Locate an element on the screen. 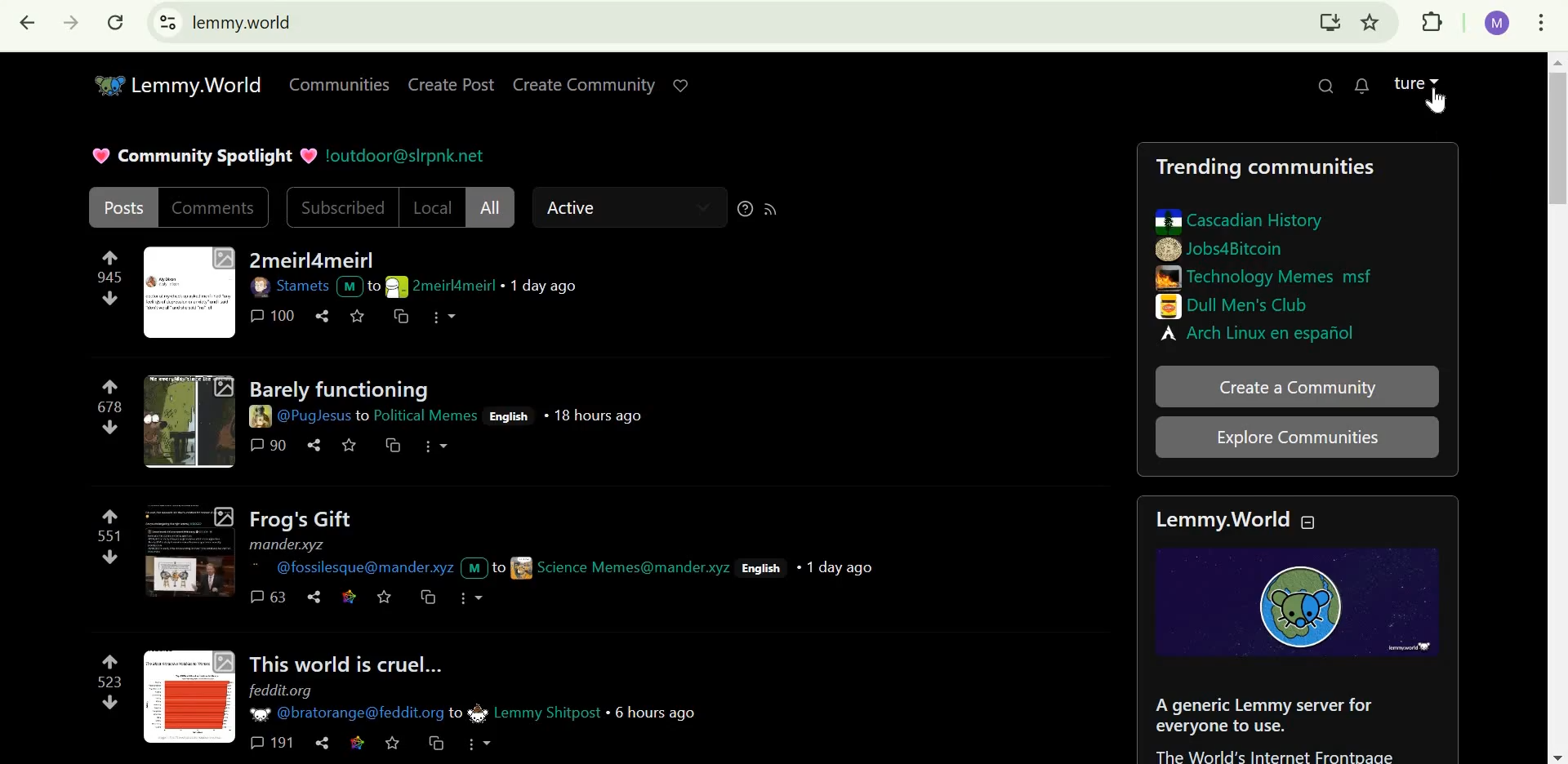  18 hours ago is located at coordinates (596, 416).